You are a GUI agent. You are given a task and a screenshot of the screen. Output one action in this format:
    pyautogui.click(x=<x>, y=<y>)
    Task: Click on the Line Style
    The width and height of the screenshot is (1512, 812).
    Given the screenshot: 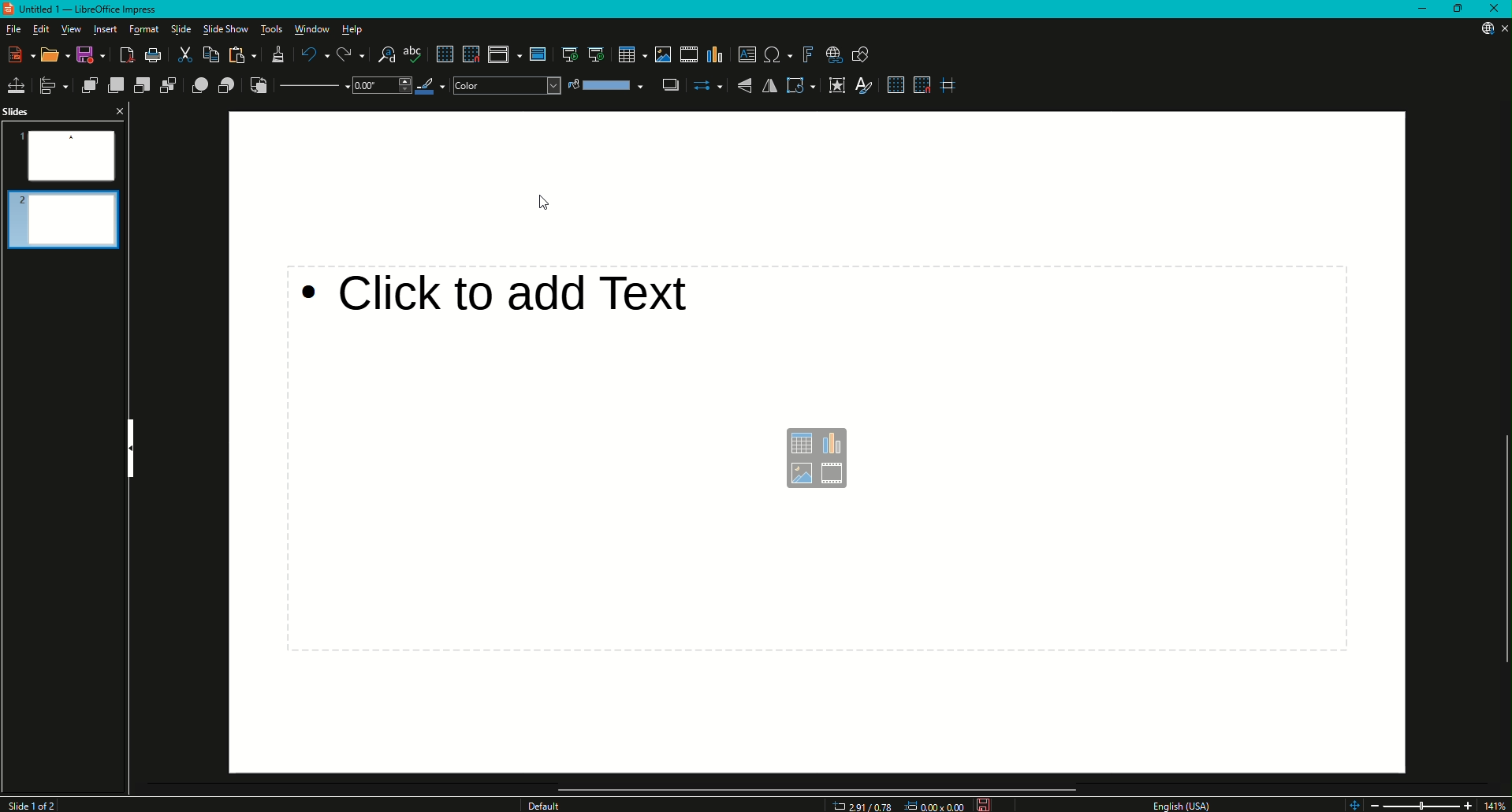 What is the action you would take?
    pyautogui.click(x=312, y=87)
    